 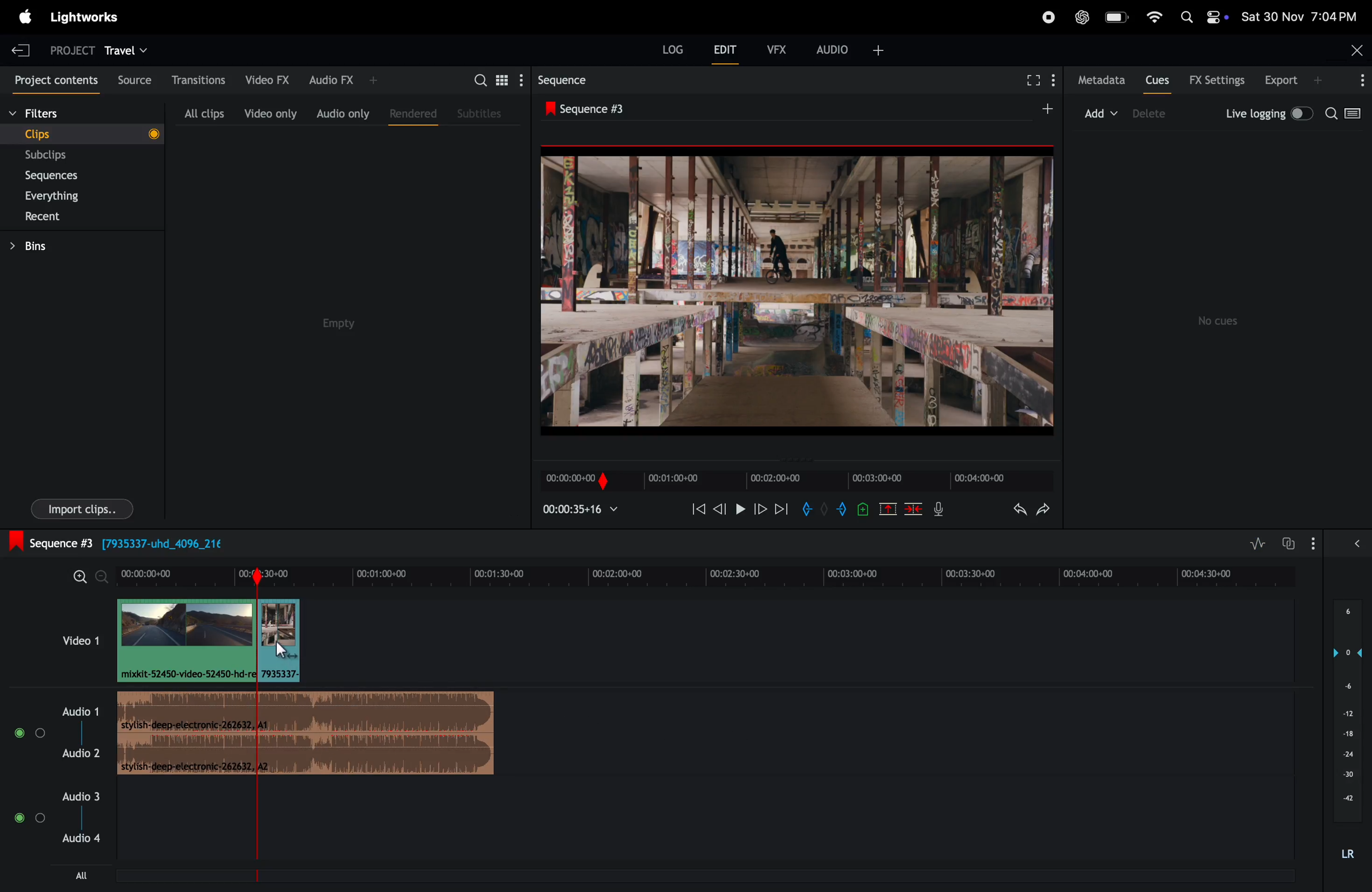 What do you see at coordinates (853, 48) in the screenshot?
I see `audio +` at bounding box center [853, 48].